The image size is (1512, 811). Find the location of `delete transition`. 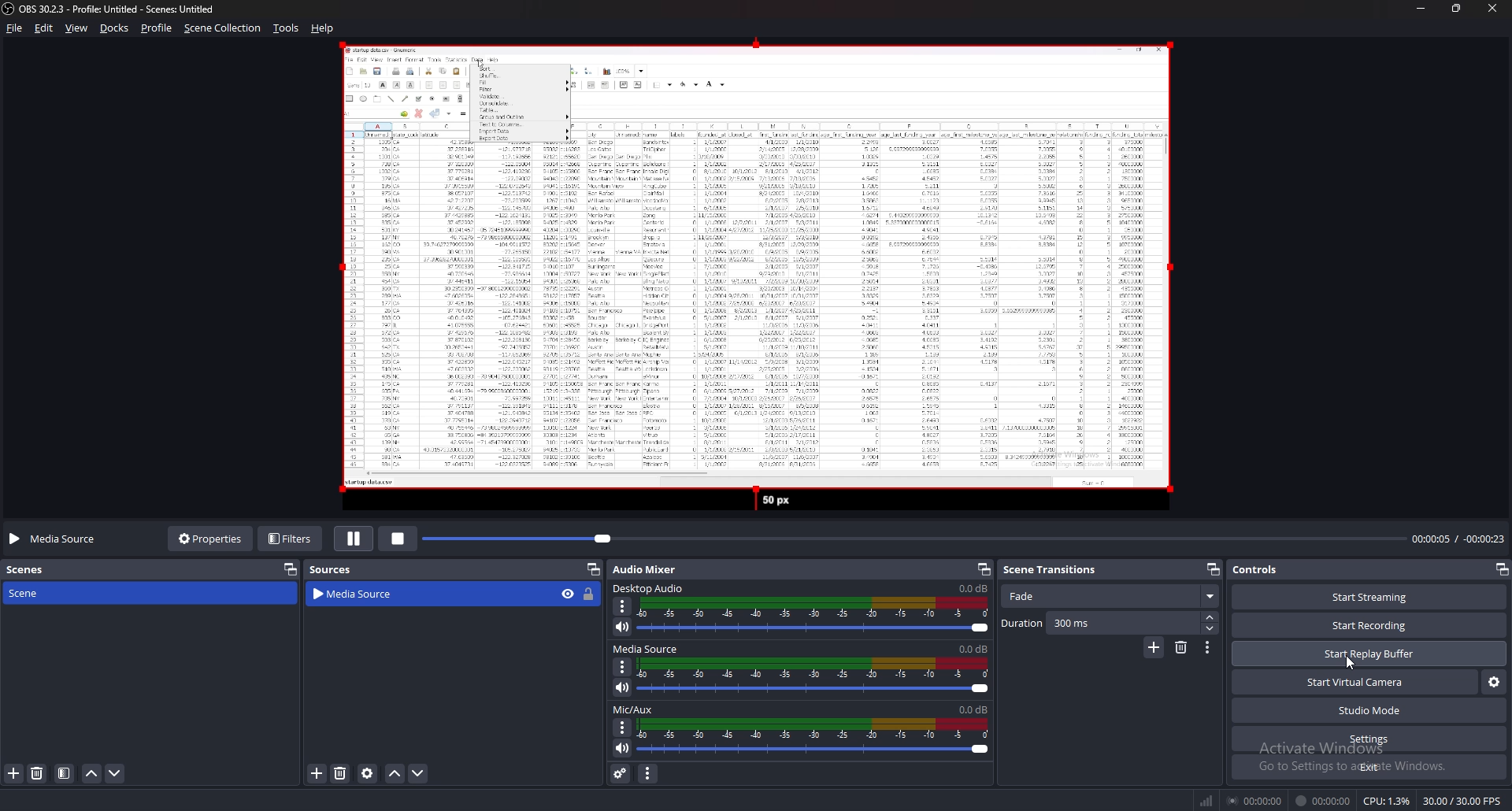

delete transition is located at coordinates (1181, 648).